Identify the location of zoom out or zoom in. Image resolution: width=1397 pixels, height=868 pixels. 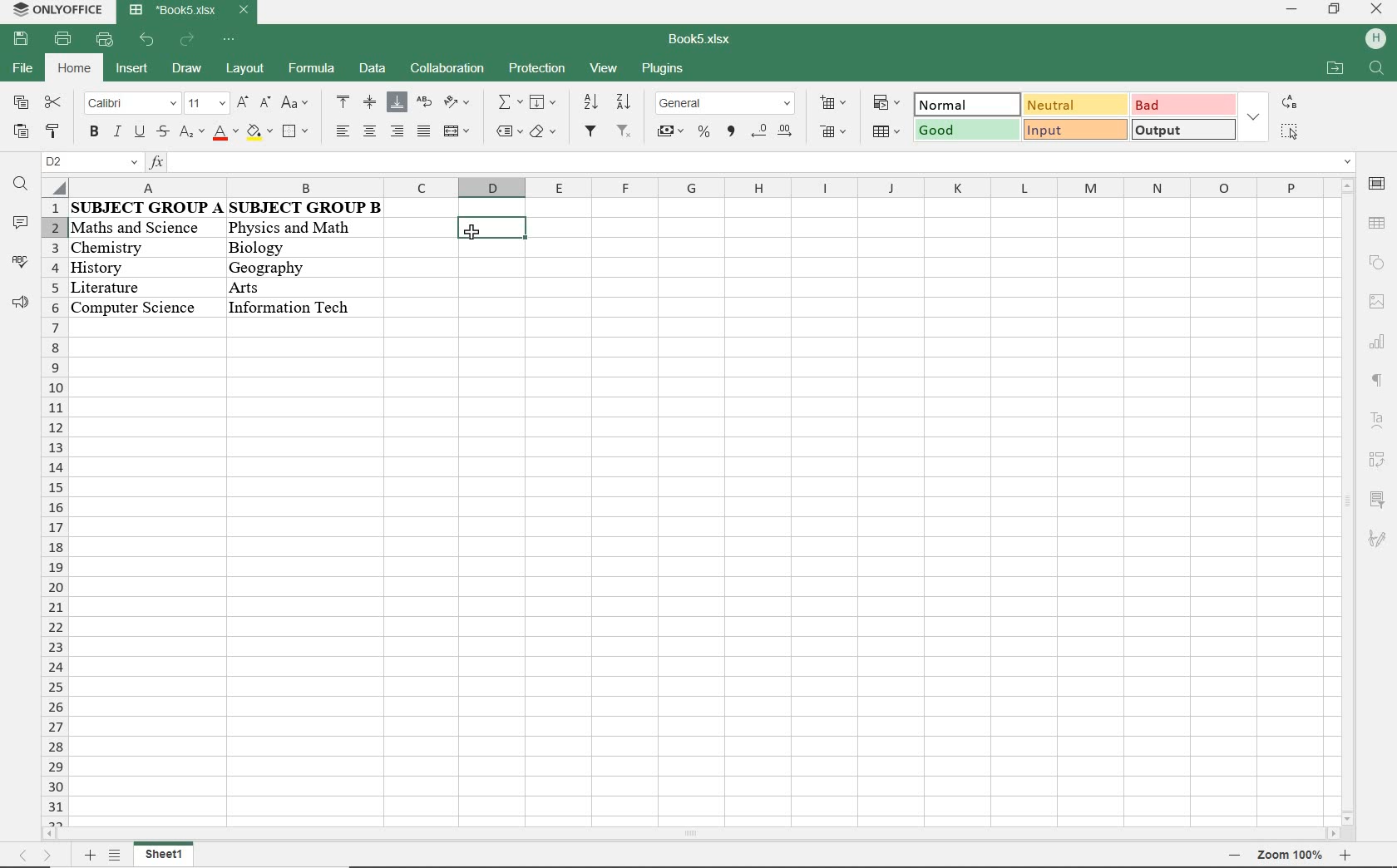
(1299, 856).